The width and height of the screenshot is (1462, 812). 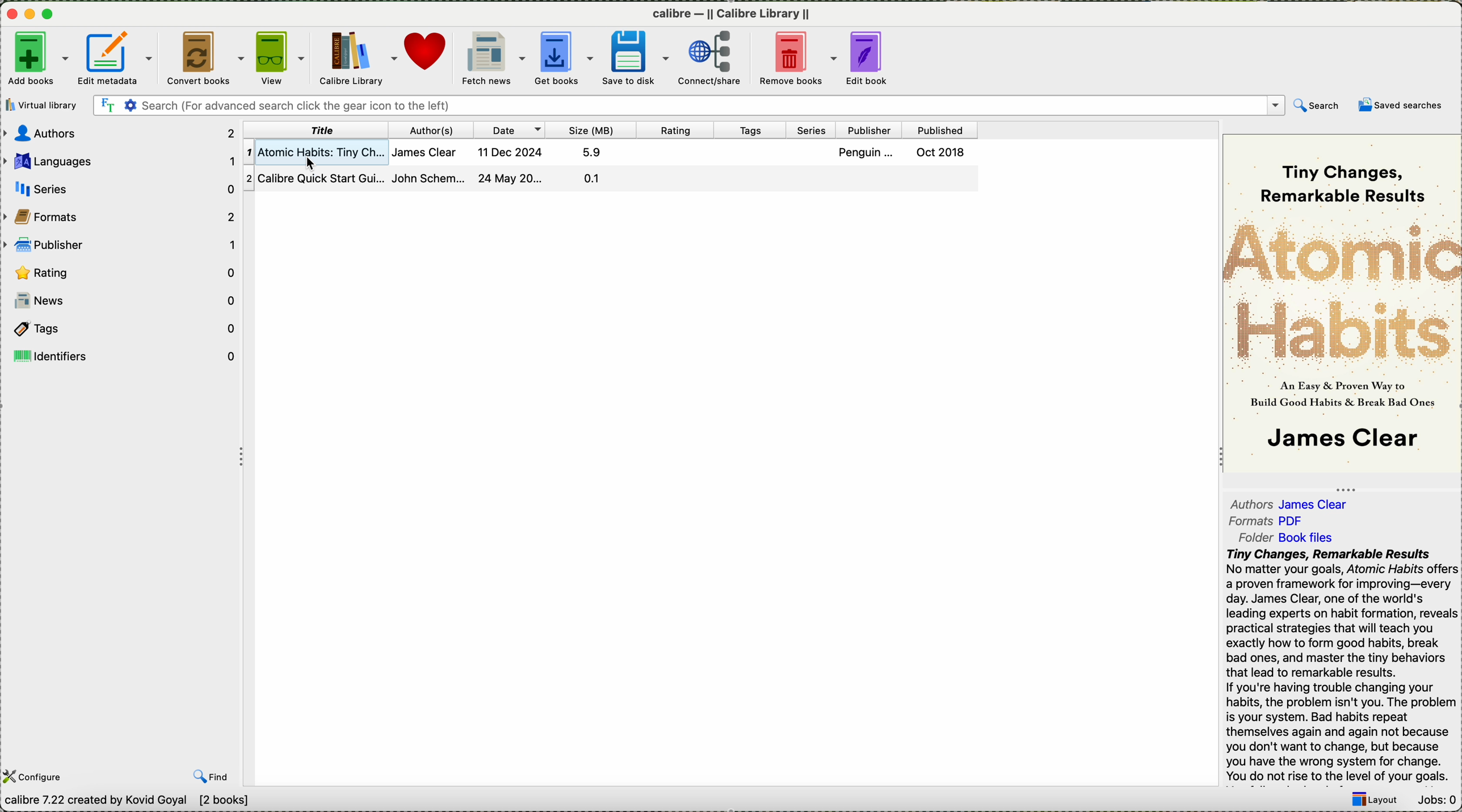 I want to click on date, so click(x=511, y=129).